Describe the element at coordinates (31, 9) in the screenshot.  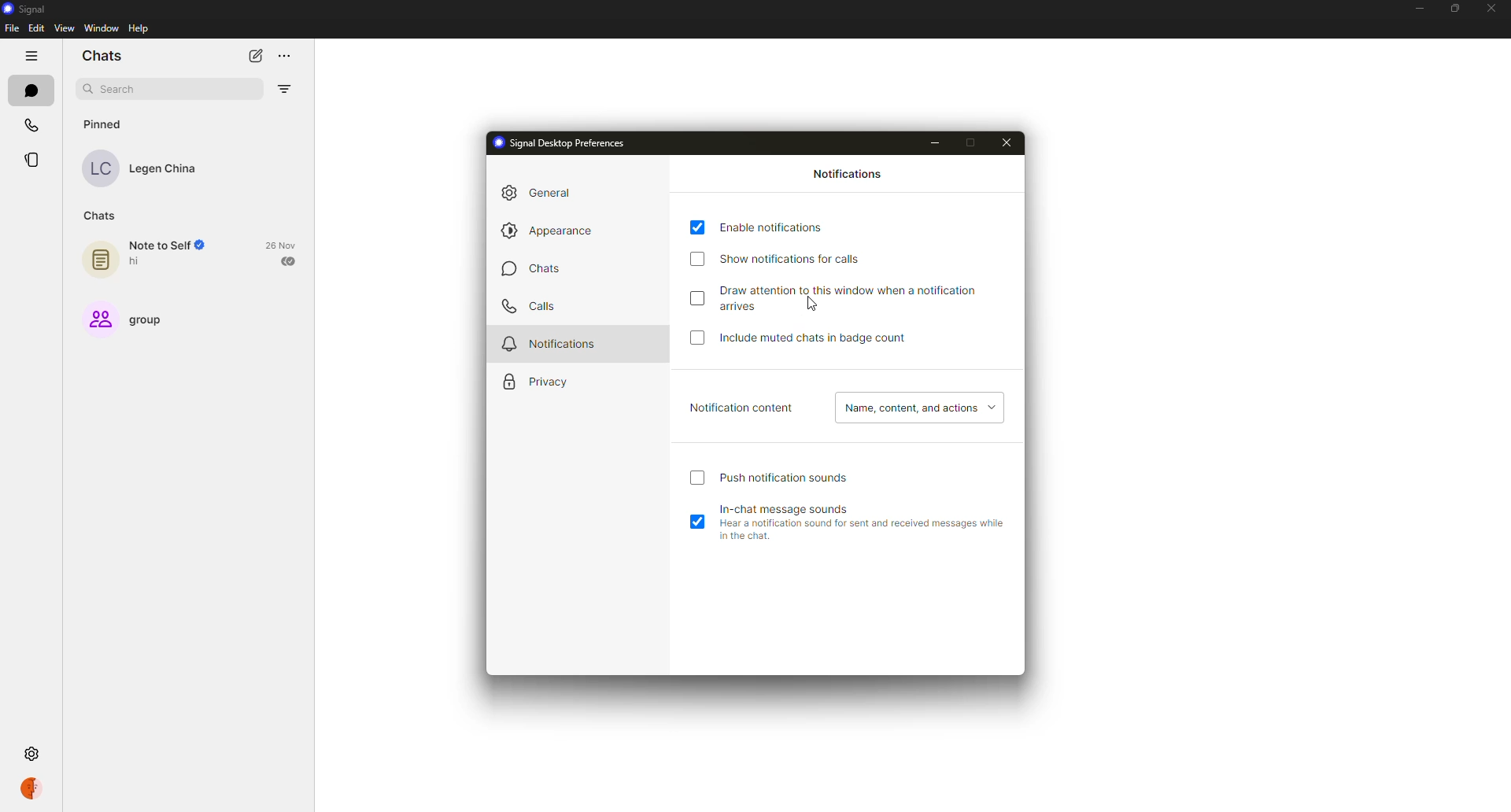
I see `signal` at that location.